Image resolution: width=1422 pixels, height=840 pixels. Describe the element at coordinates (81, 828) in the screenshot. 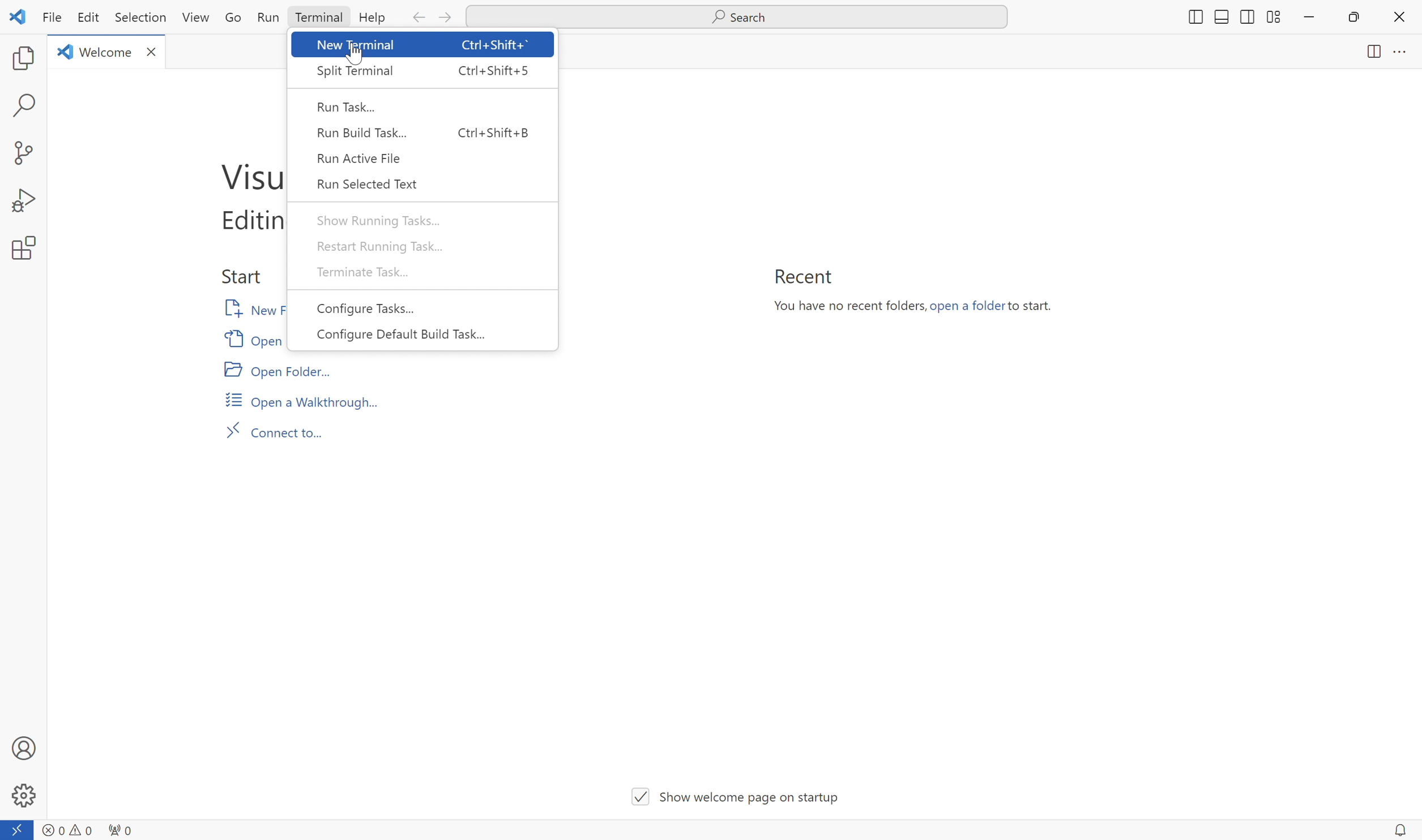

I see `warnings` at that location.